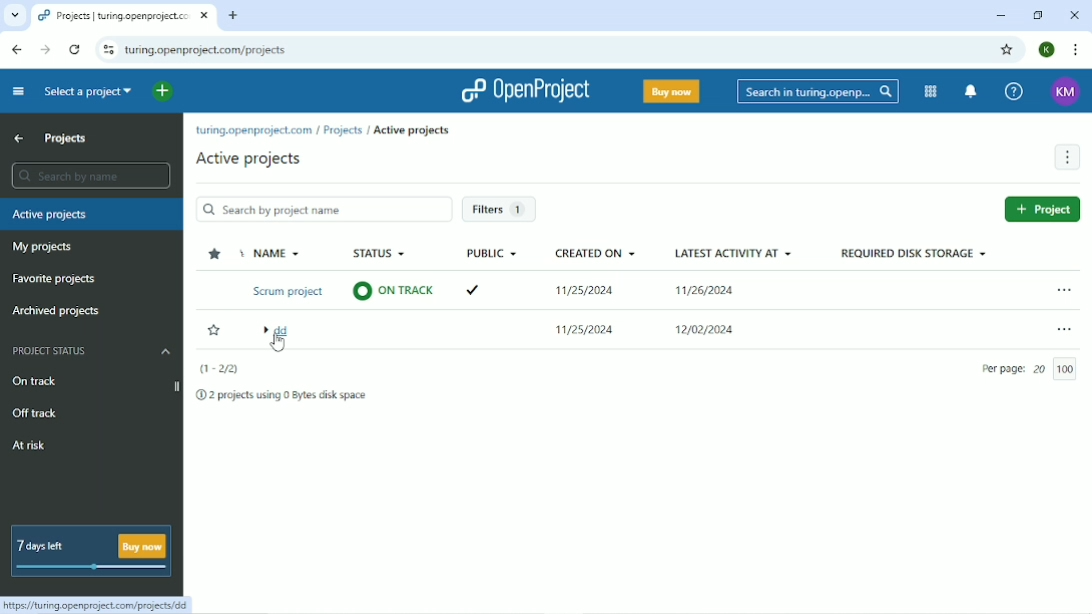 The width and height of the screenshot is (1092, 614). Describe the element at coordinates (1067, 157) in the screenshot. I see `More` at that location.